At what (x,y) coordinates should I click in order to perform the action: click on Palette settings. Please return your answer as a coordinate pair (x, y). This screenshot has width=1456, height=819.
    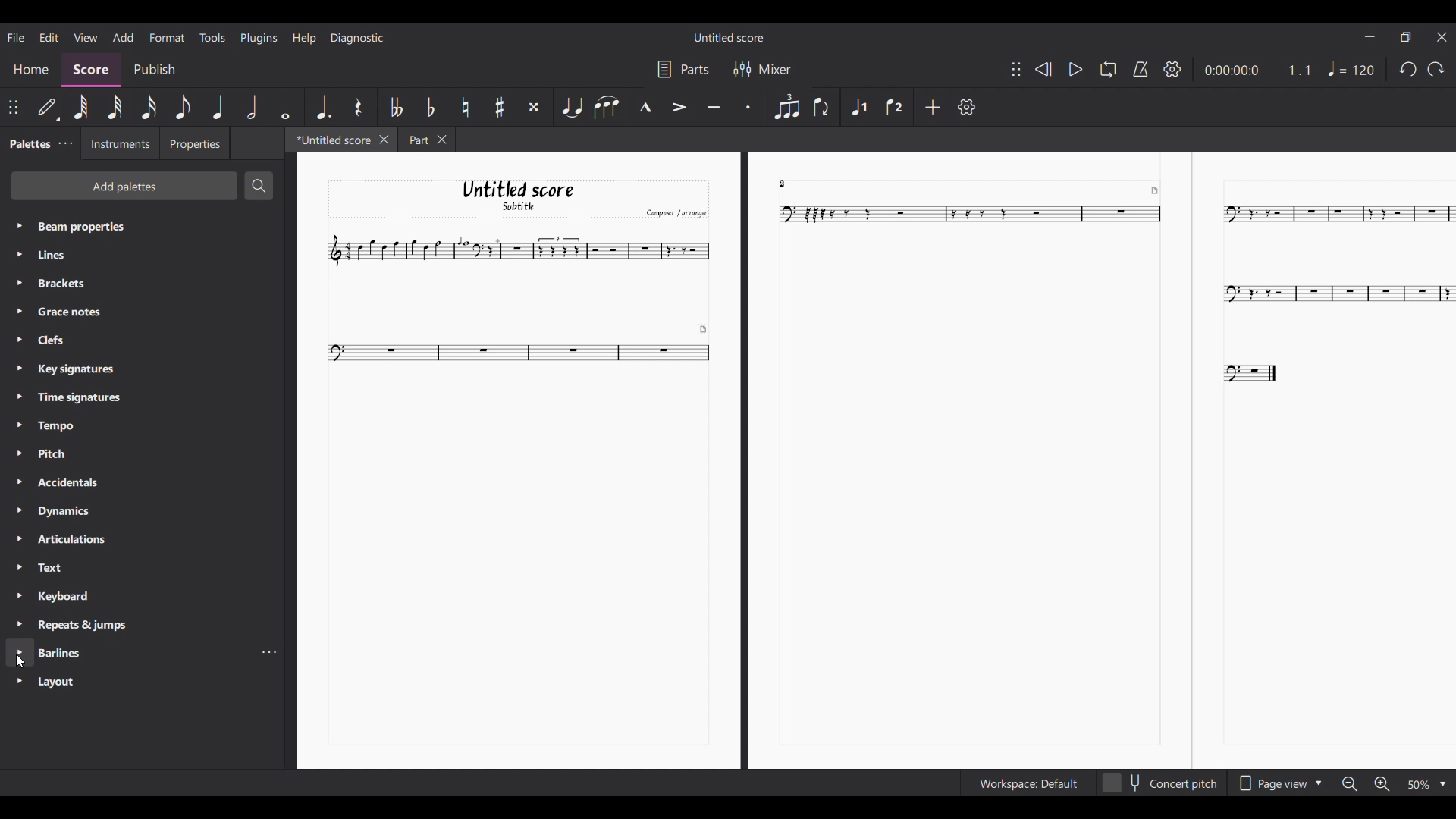
    Looking at the image, I should click on (58, 424).